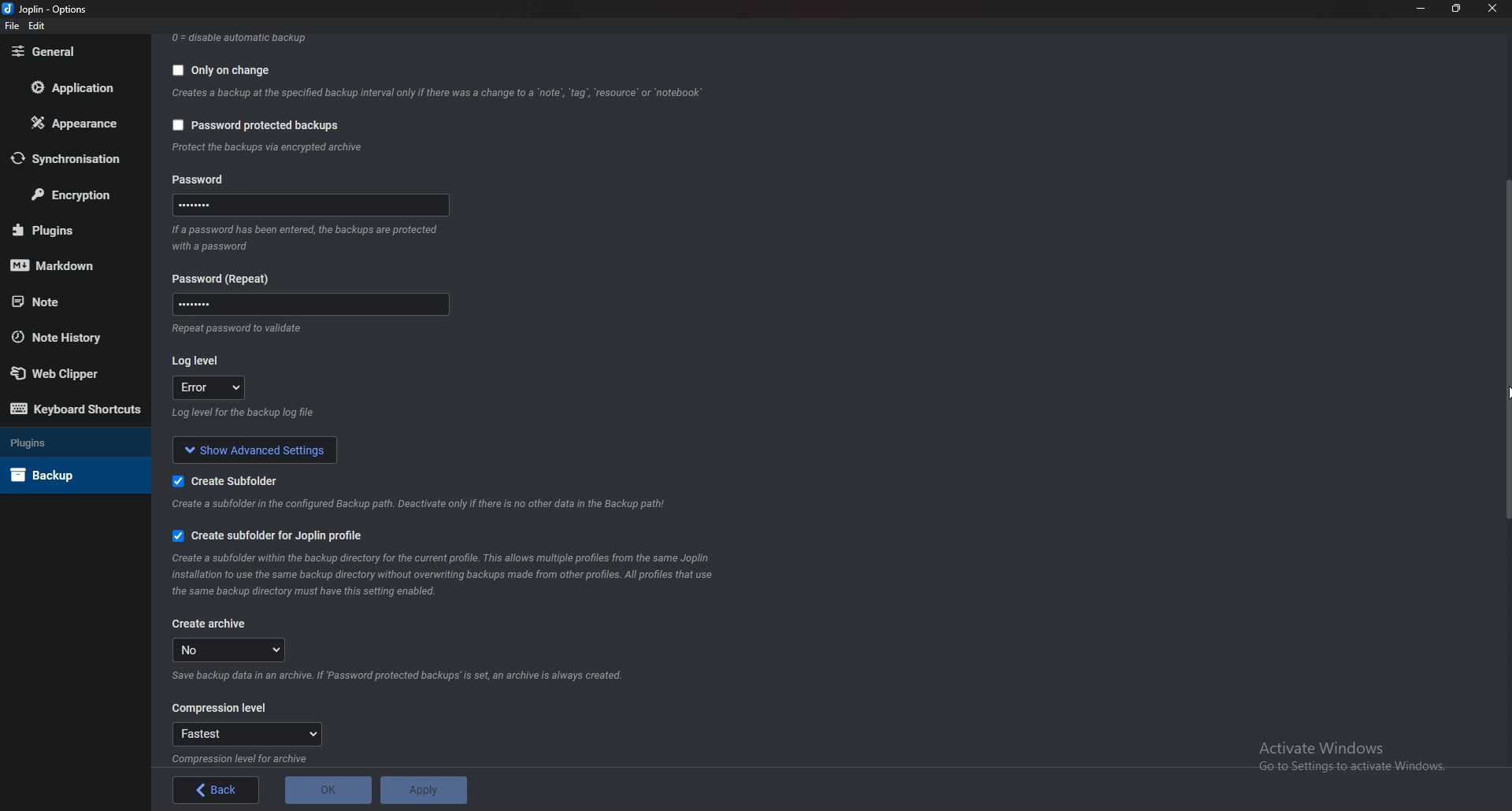 The image size is (1512, 811). What do you see at coordinates (309, 206) in the screenshot?
I see `Password` at bounding box center [309, 206].